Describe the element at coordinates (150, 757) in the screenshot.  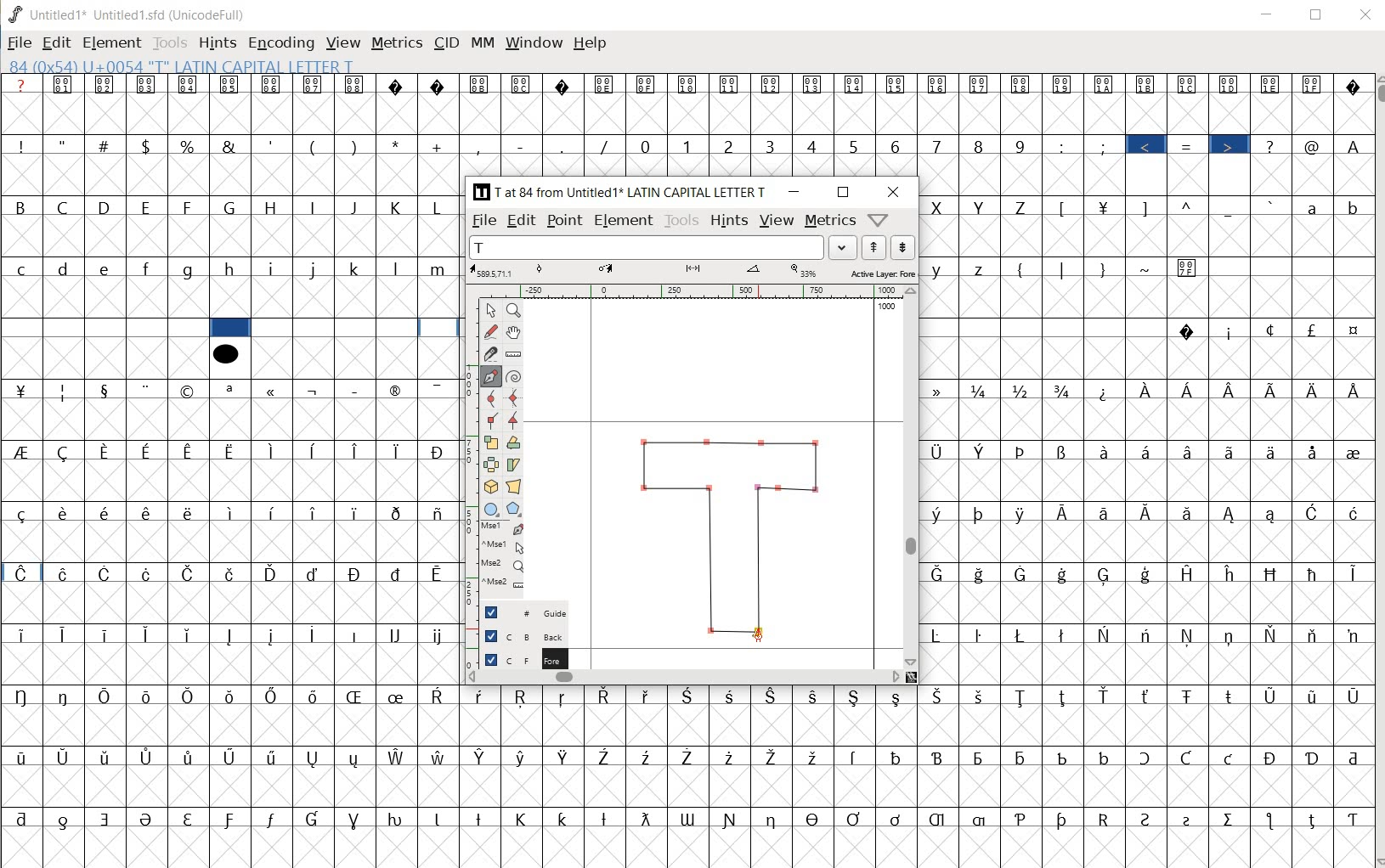
I see `Symbol` at that location.